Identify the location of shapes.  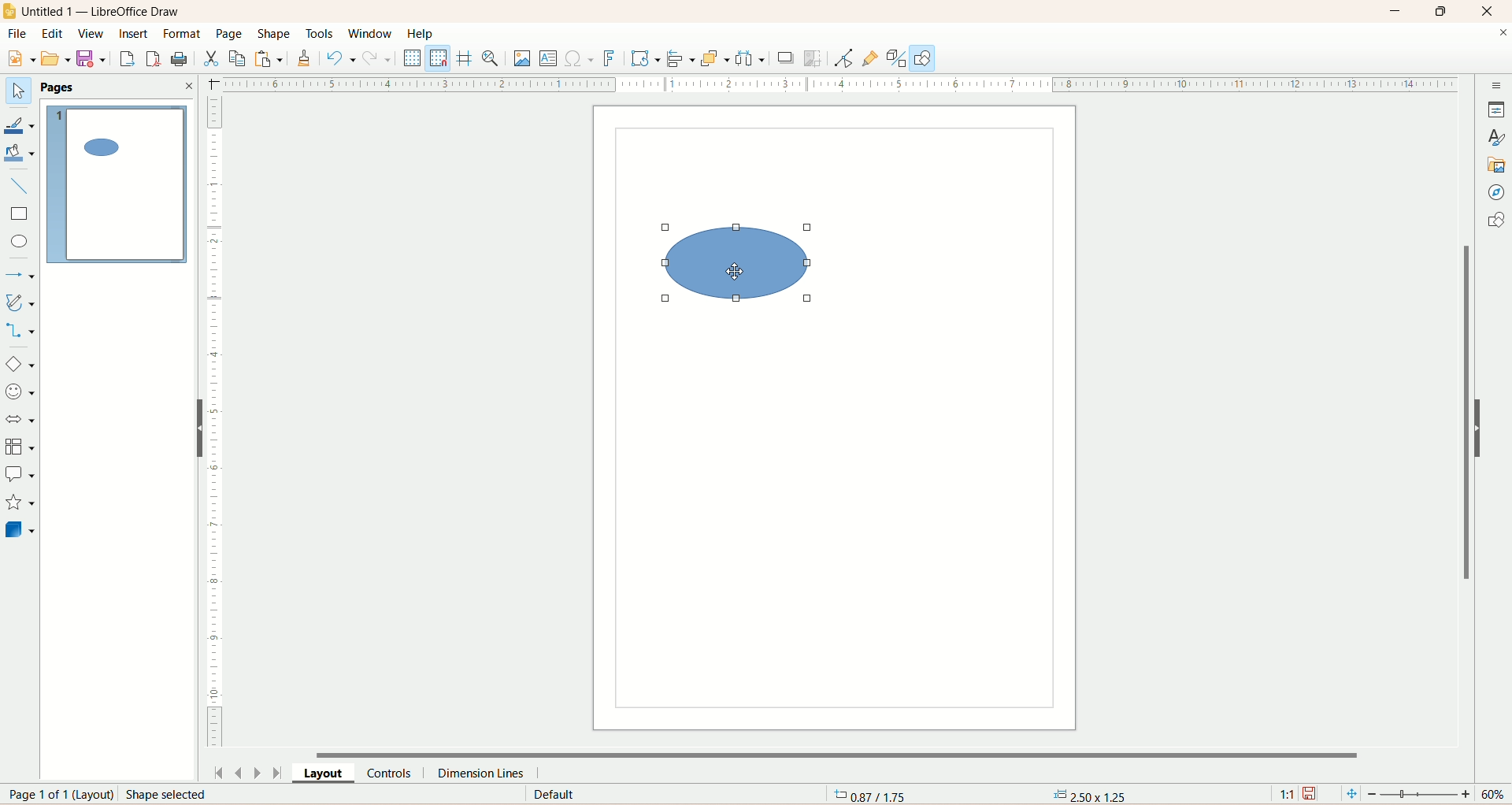
(1494, 220).